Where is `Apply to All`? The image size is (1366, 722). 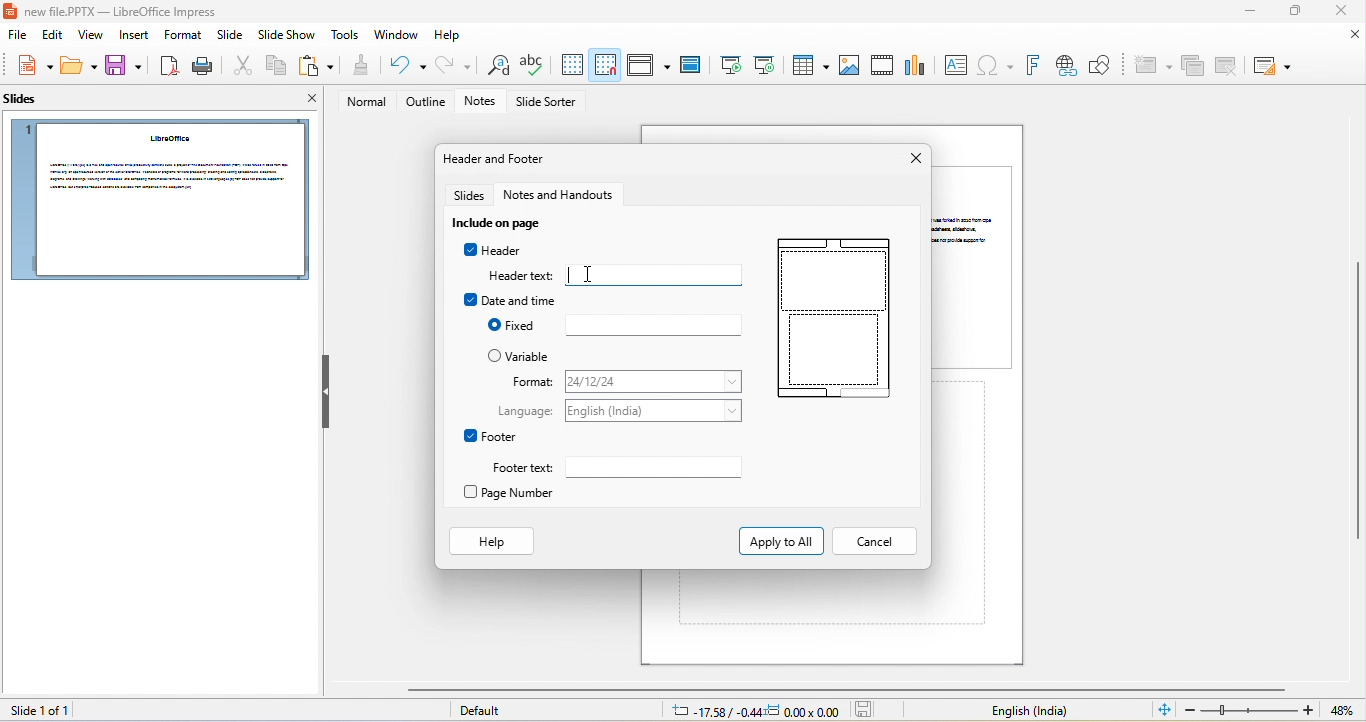 Apply to All is located at coordinates (779, 540).